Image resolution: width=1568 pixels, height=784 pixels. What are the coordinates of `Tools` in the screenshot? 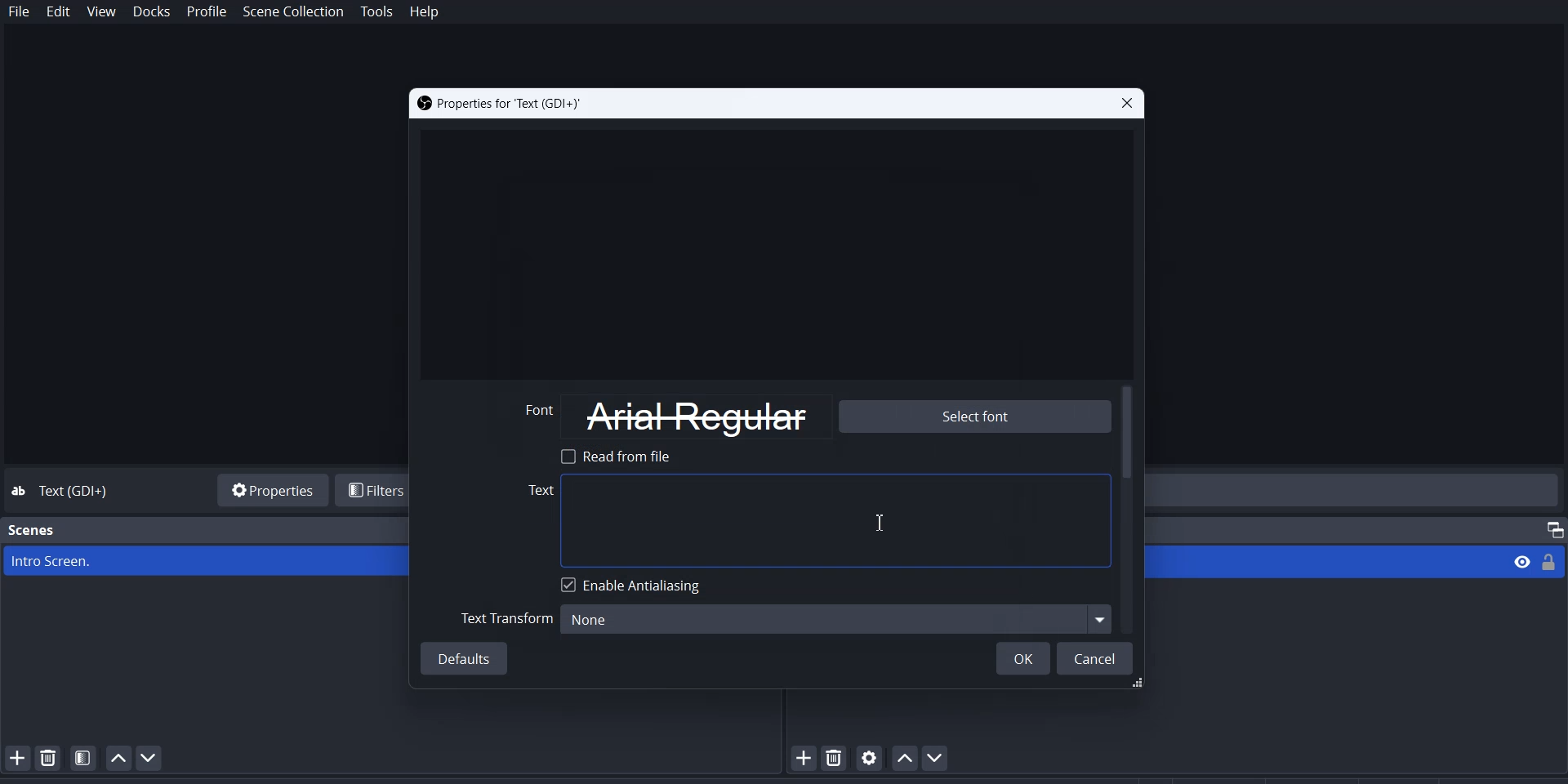 It's located at (377, 12).